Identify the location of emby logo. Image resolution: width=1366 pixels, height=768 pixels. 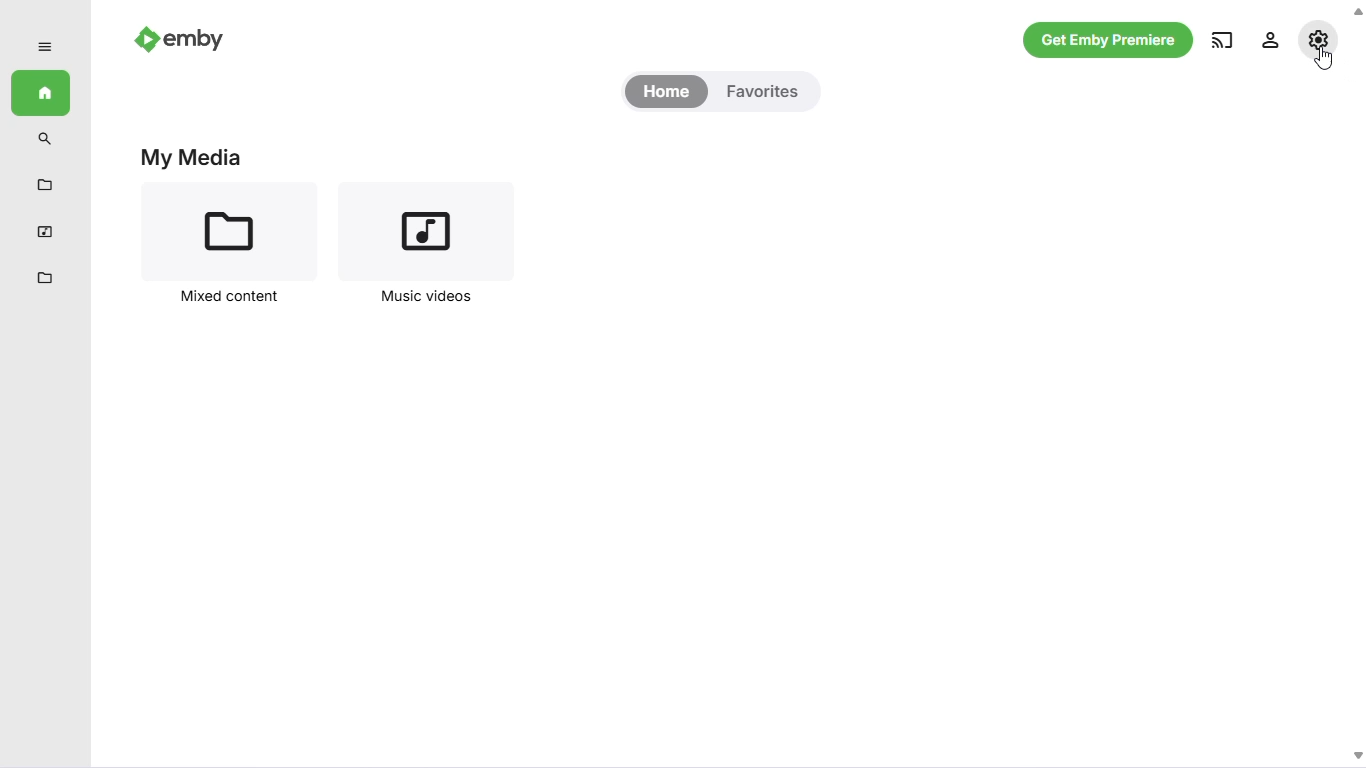
(142, 38).